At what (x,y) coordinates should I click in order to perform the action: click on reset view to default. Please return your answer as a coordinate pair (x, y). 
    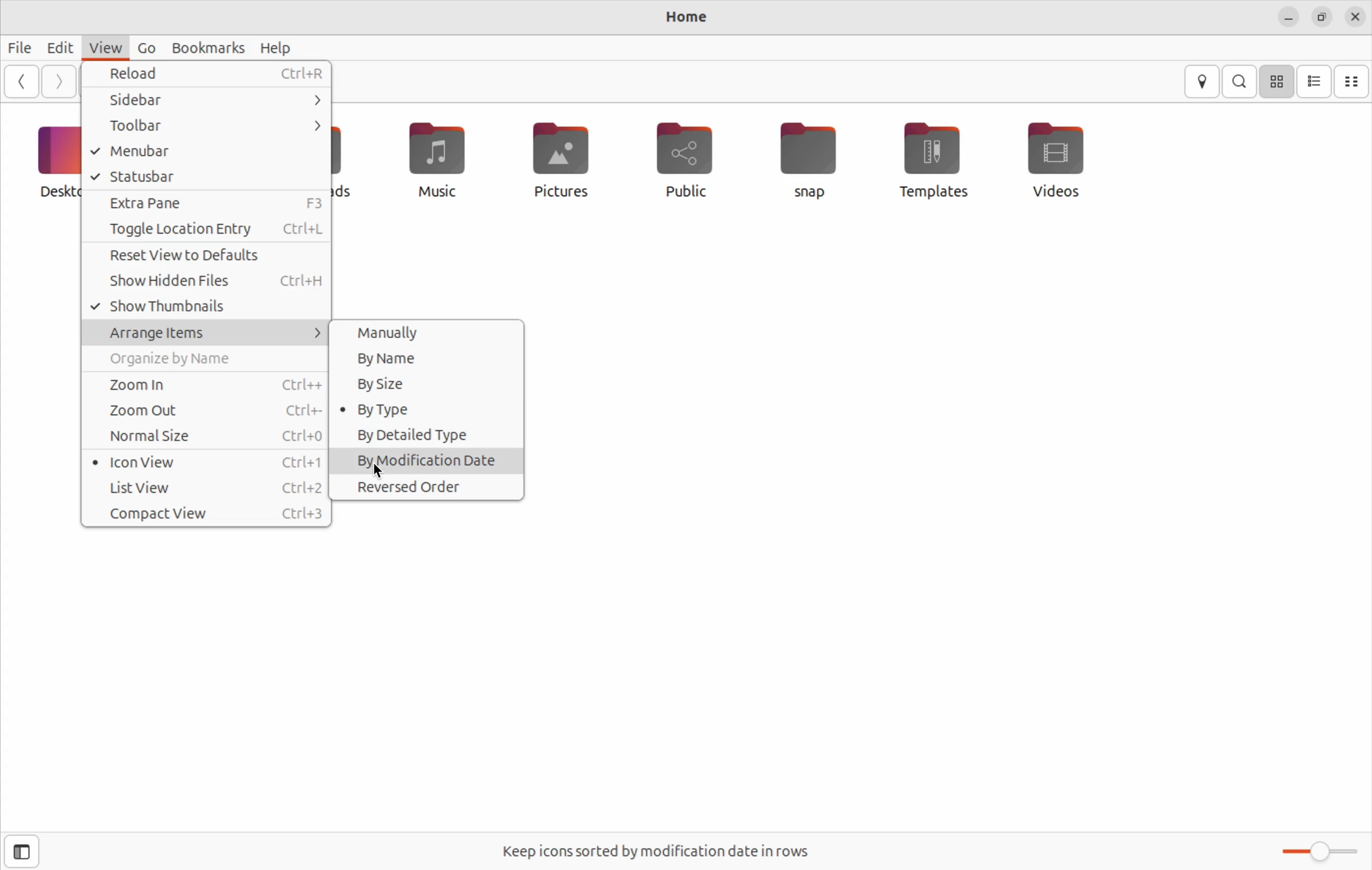
    Looking at the image, I should click on (209, 255).